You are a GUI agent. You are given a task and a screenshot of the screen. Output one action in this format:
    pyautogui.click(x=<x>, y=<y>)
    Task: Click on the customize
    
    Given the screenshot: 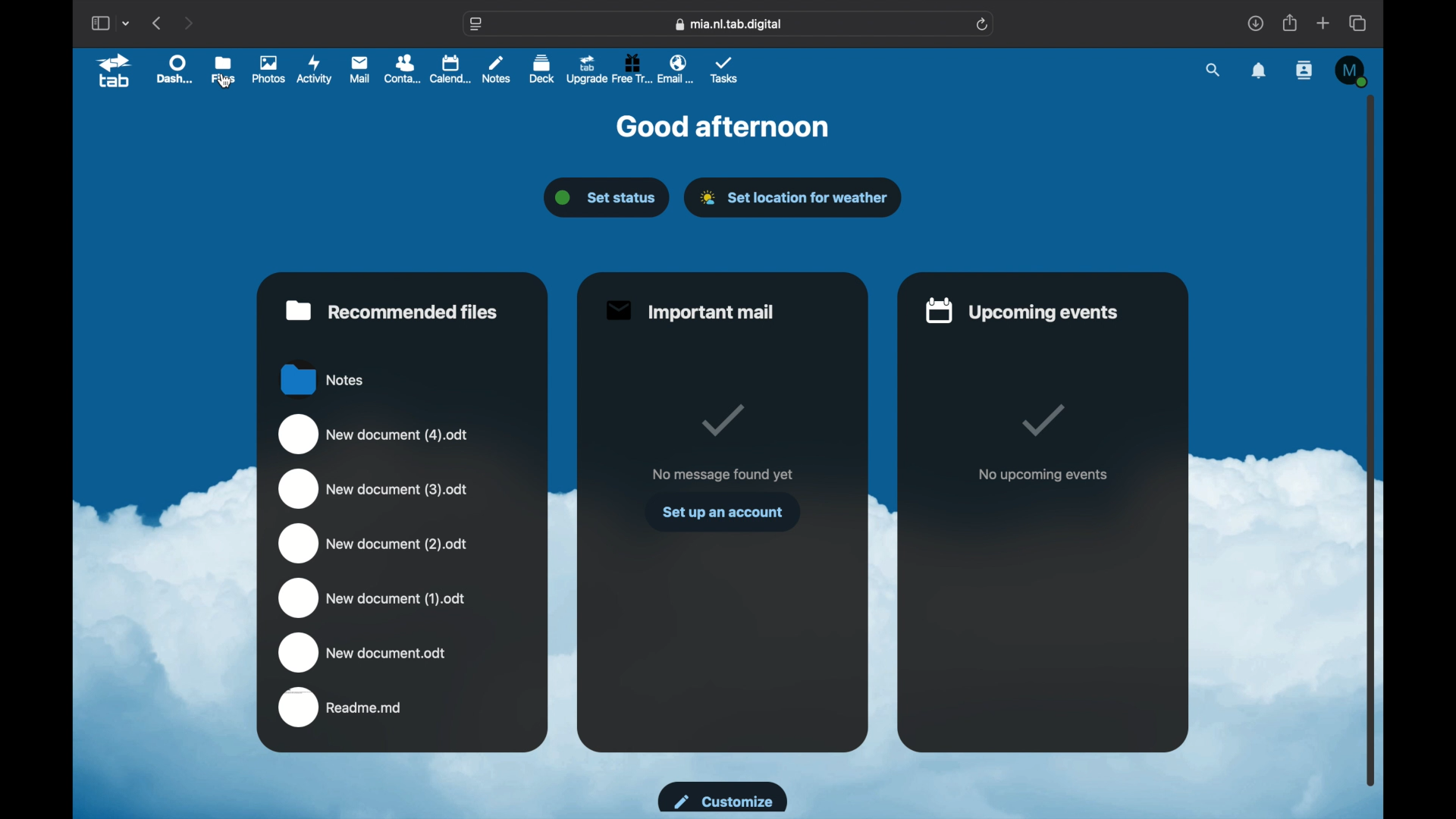 What is the action you would take?
    pyautogui.click(x=723, y=798)
    